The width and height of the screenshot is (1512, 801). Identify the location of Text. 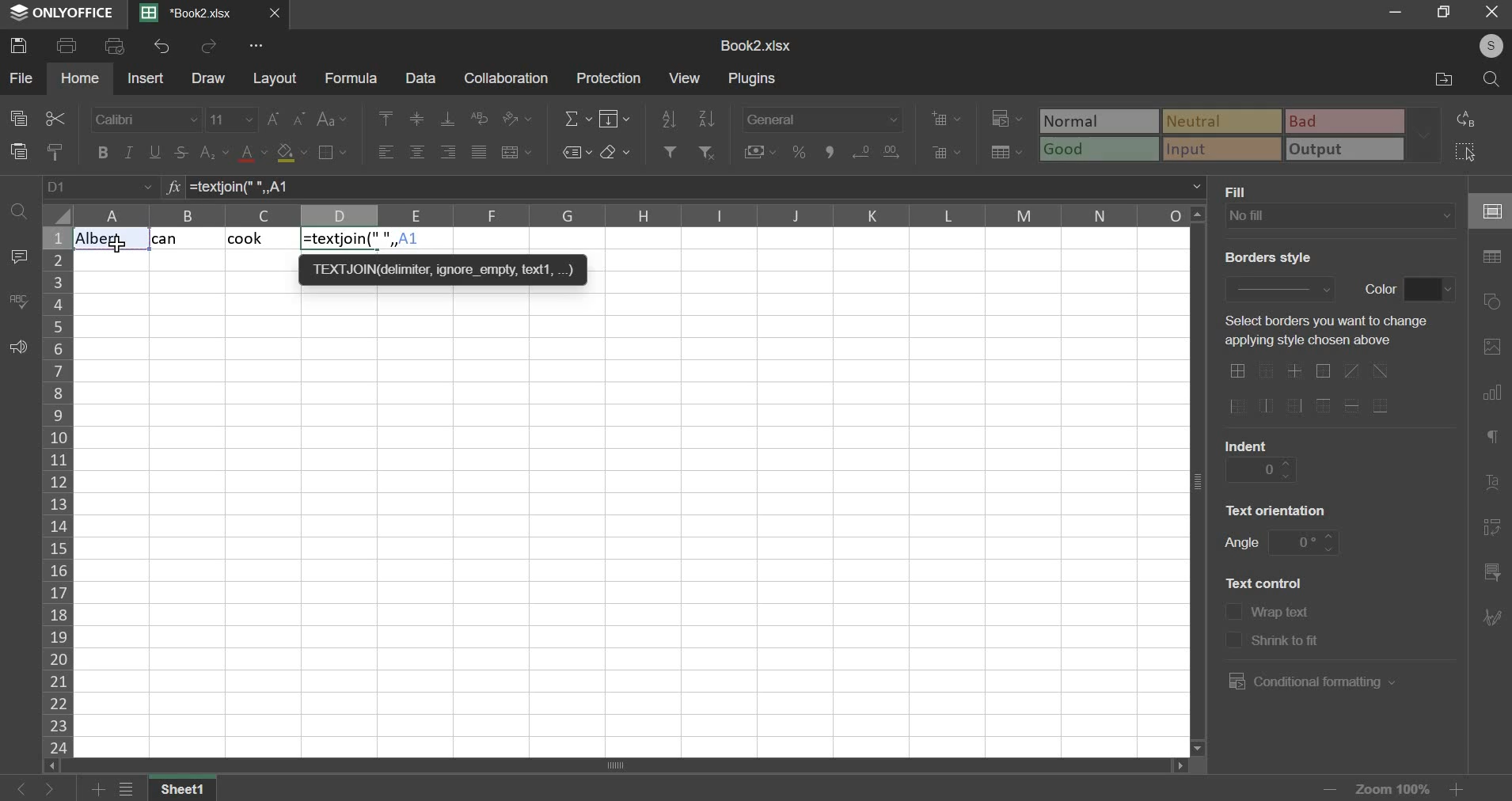
(179, 240).